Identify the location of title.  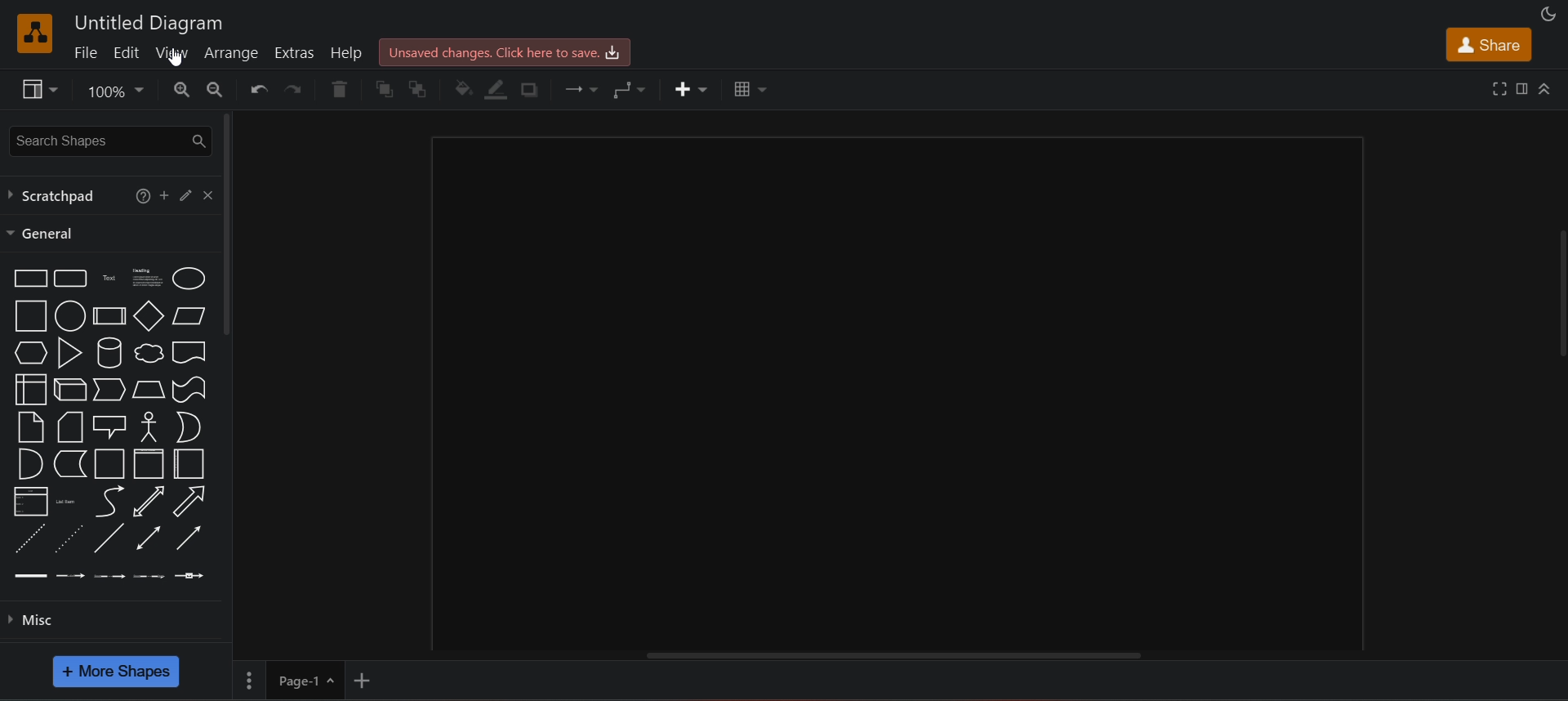
(148, 21).